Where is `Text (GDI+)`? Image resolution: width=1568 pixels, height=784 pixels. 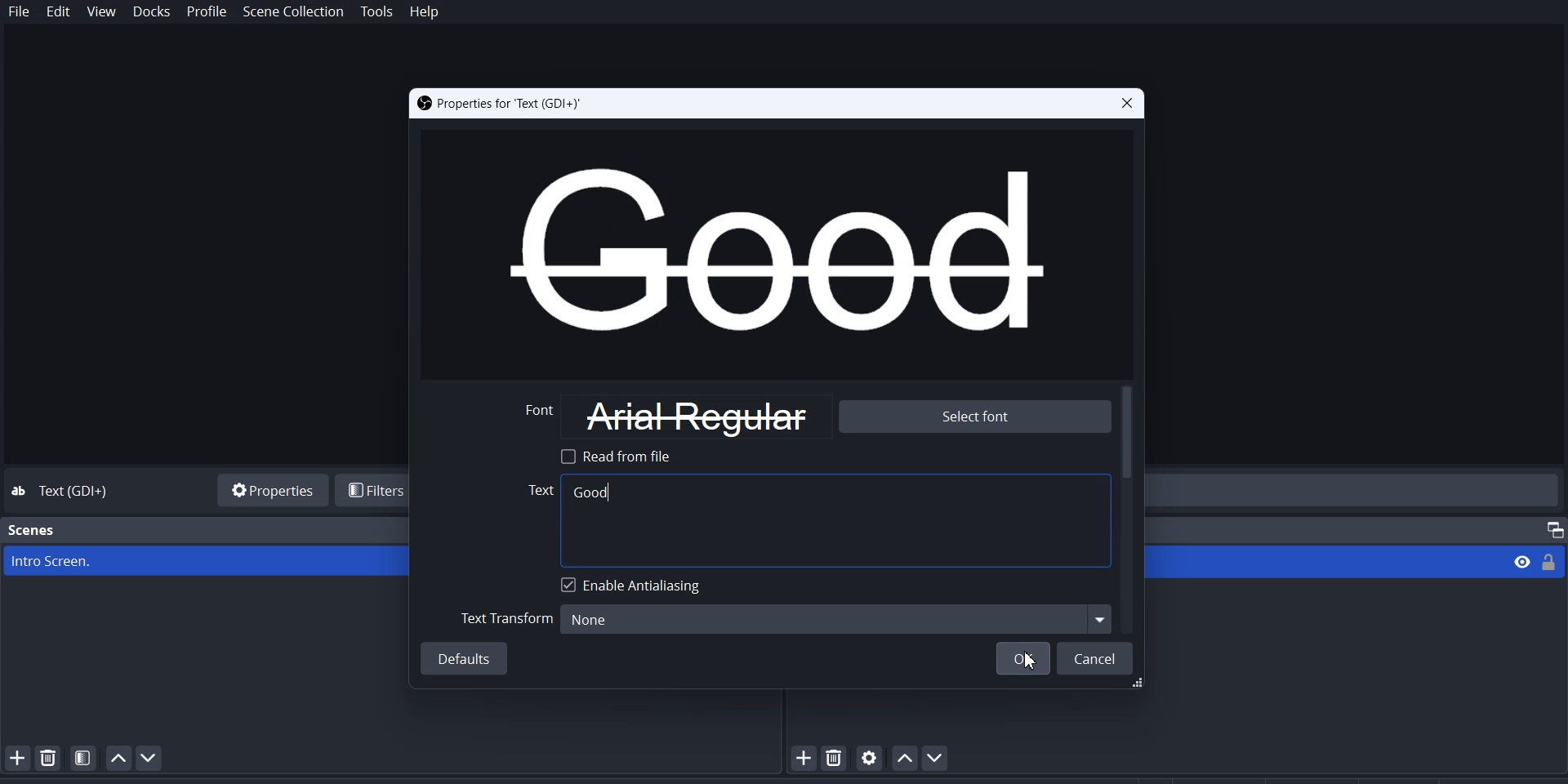 Text (GDI+) is located at coordinates (78, 492).